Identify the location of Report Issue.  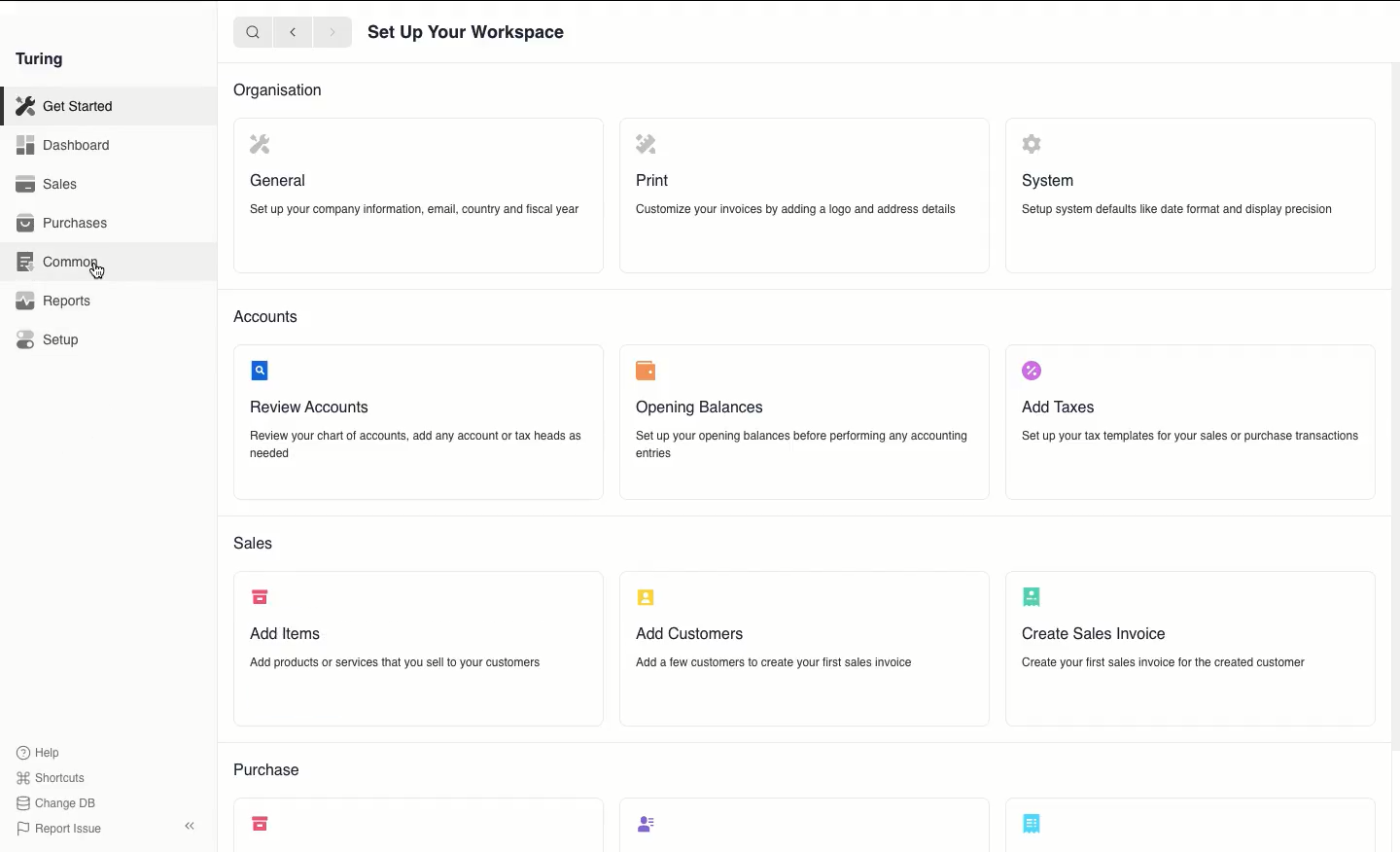
(61, 830).